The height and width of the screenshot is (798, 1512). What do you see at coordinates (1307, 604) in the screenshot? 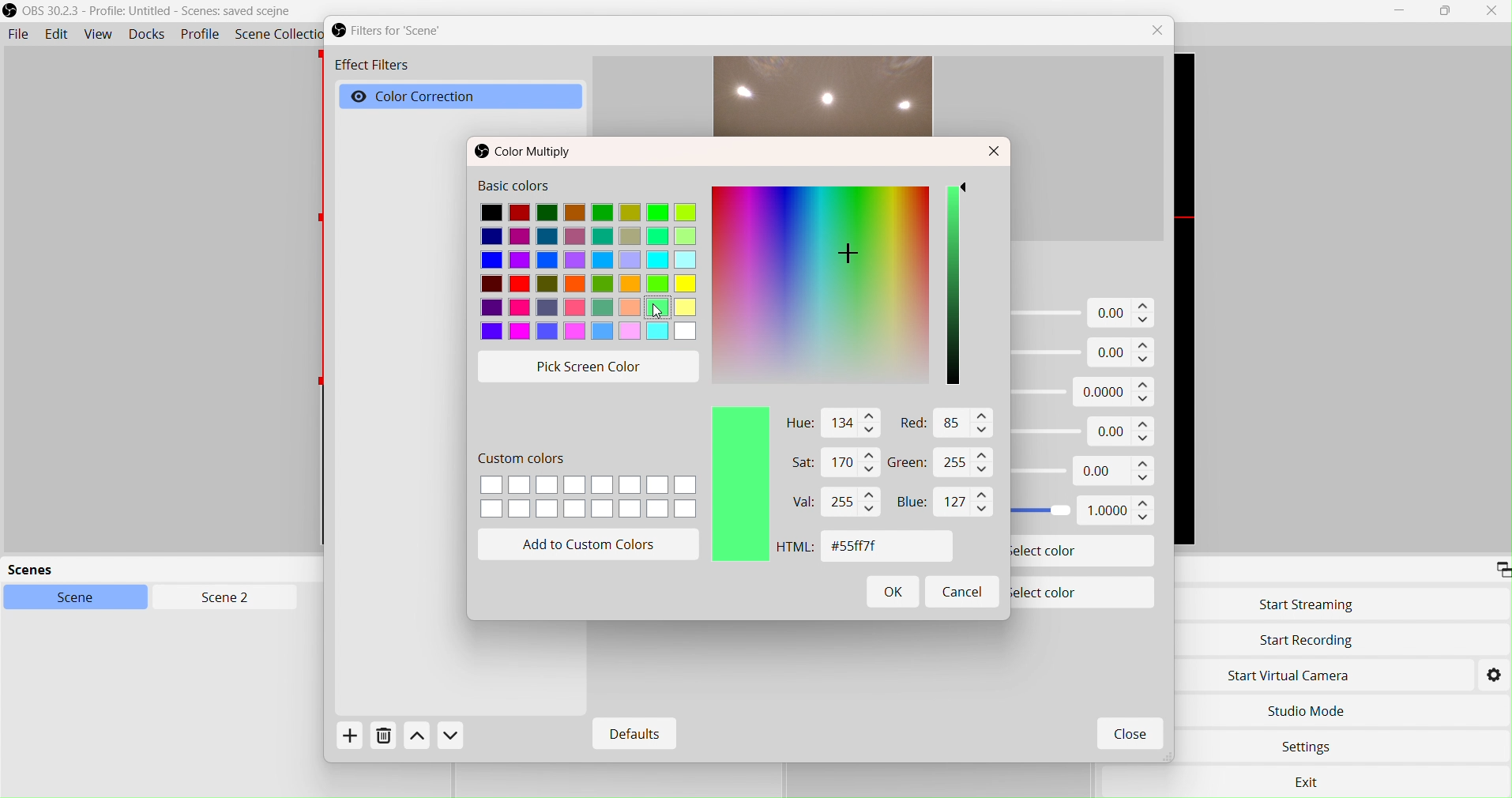
I see `Start Streaming` at bounding box center [1307, 604].